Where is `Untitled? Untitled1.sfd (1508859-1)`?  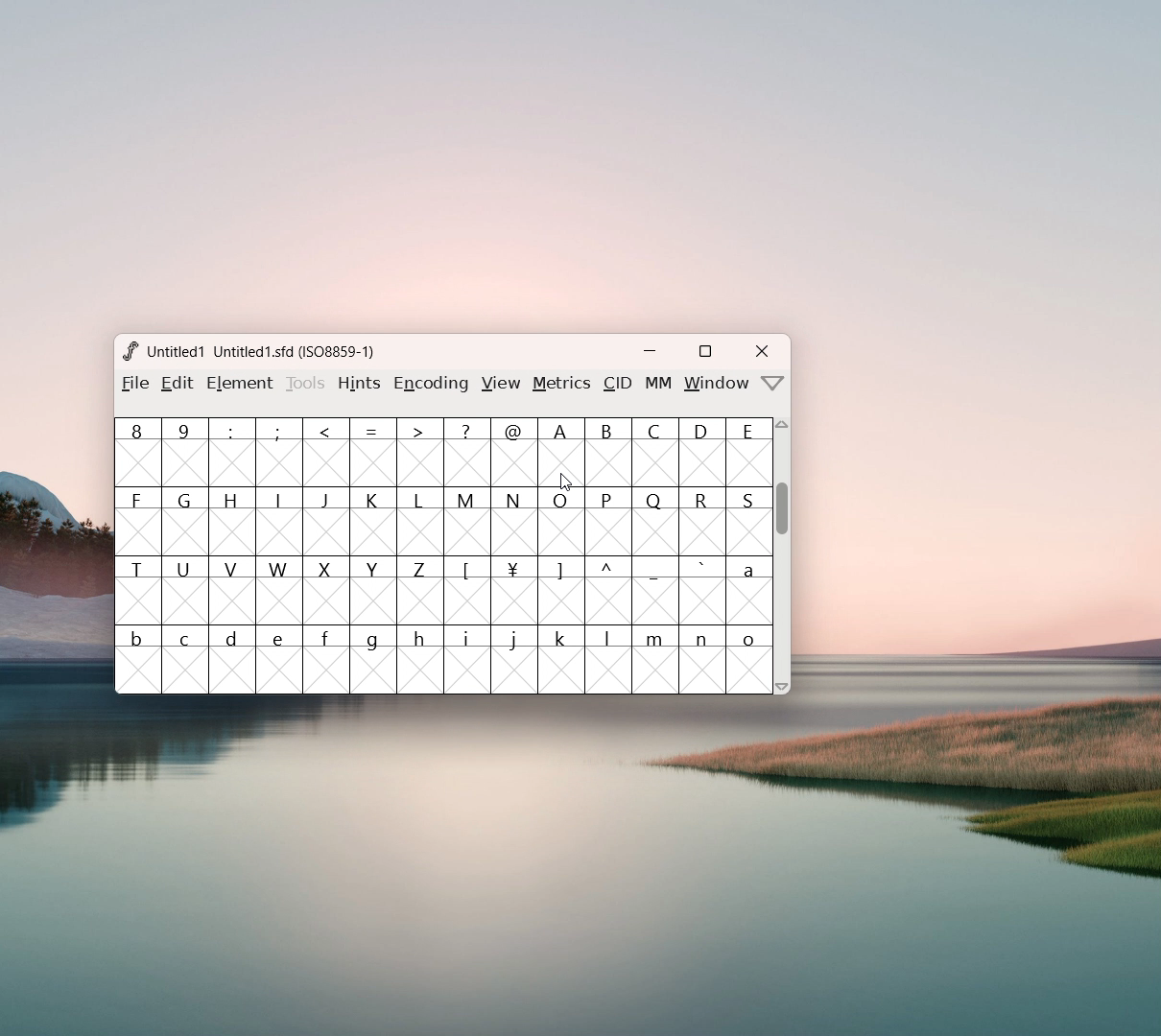
Untitled? Untitled1.sfd (1508859-1) is located at coordinates (267, 351).